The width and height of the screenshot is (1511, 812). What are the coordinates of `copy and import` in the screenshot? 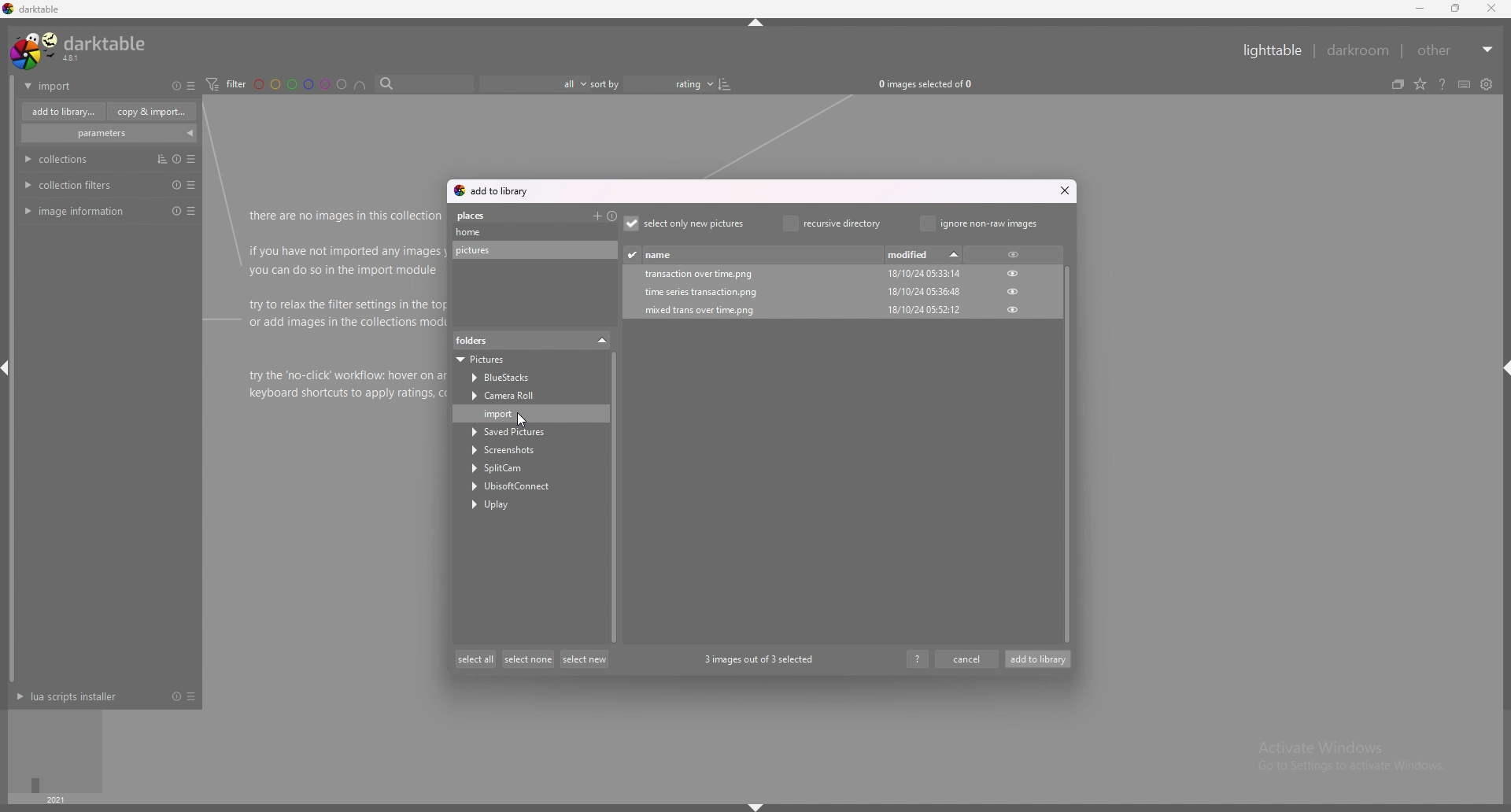 It's located at (152, 111).